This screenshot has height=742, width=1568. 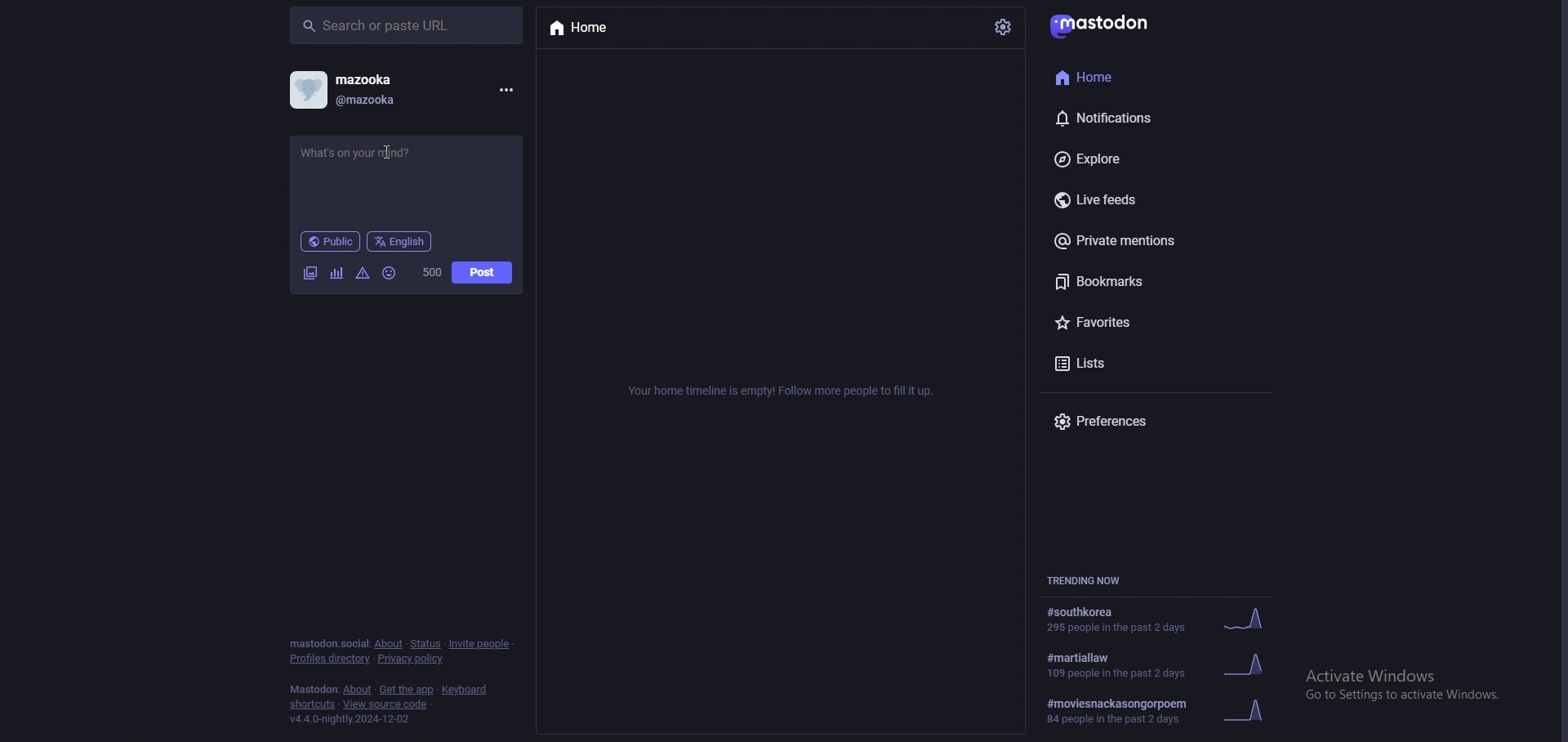 I want to click on about, so click(x=357, y=690).